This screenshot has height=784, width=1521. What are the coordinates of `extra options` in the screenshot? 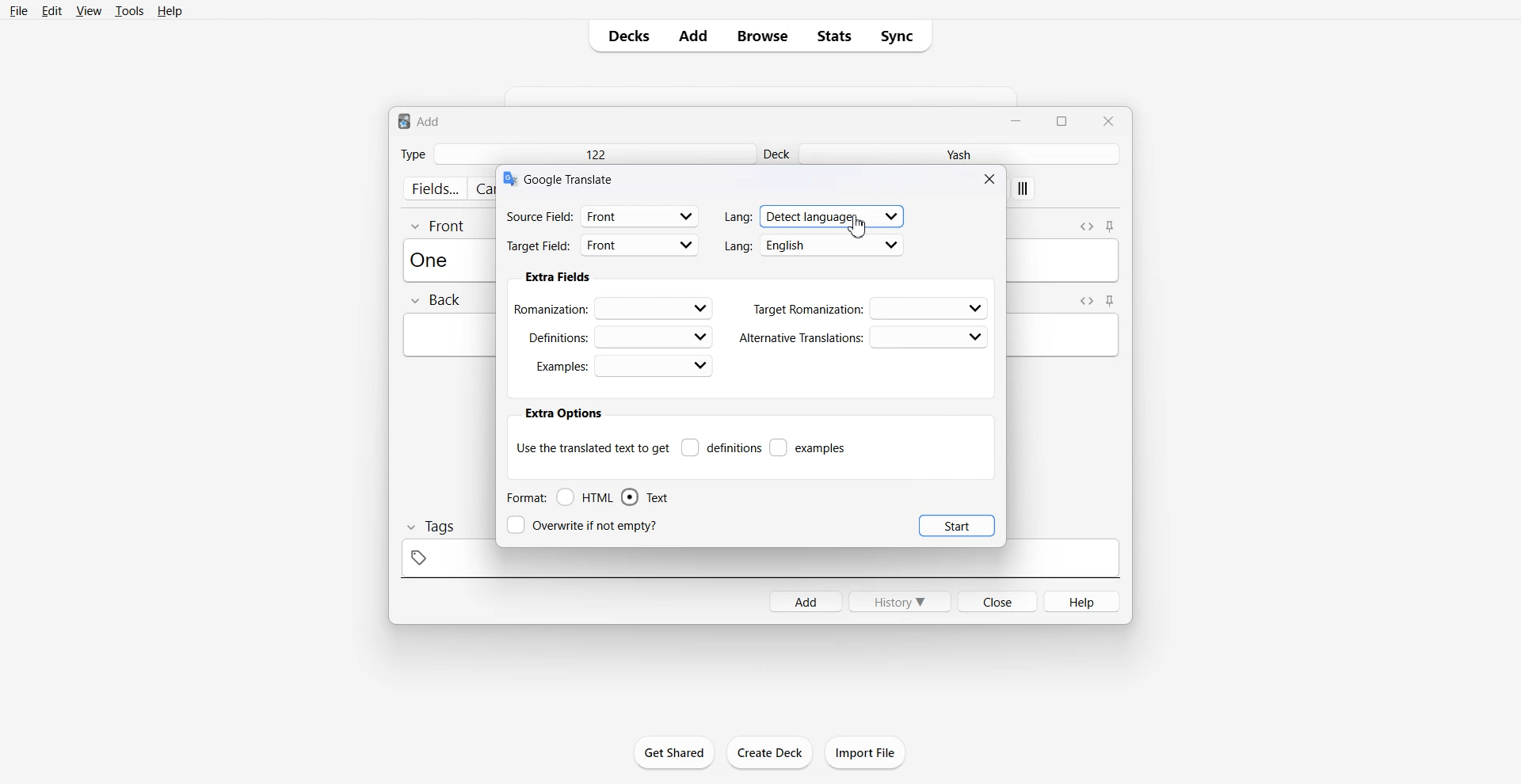 It's located at (562, 413).